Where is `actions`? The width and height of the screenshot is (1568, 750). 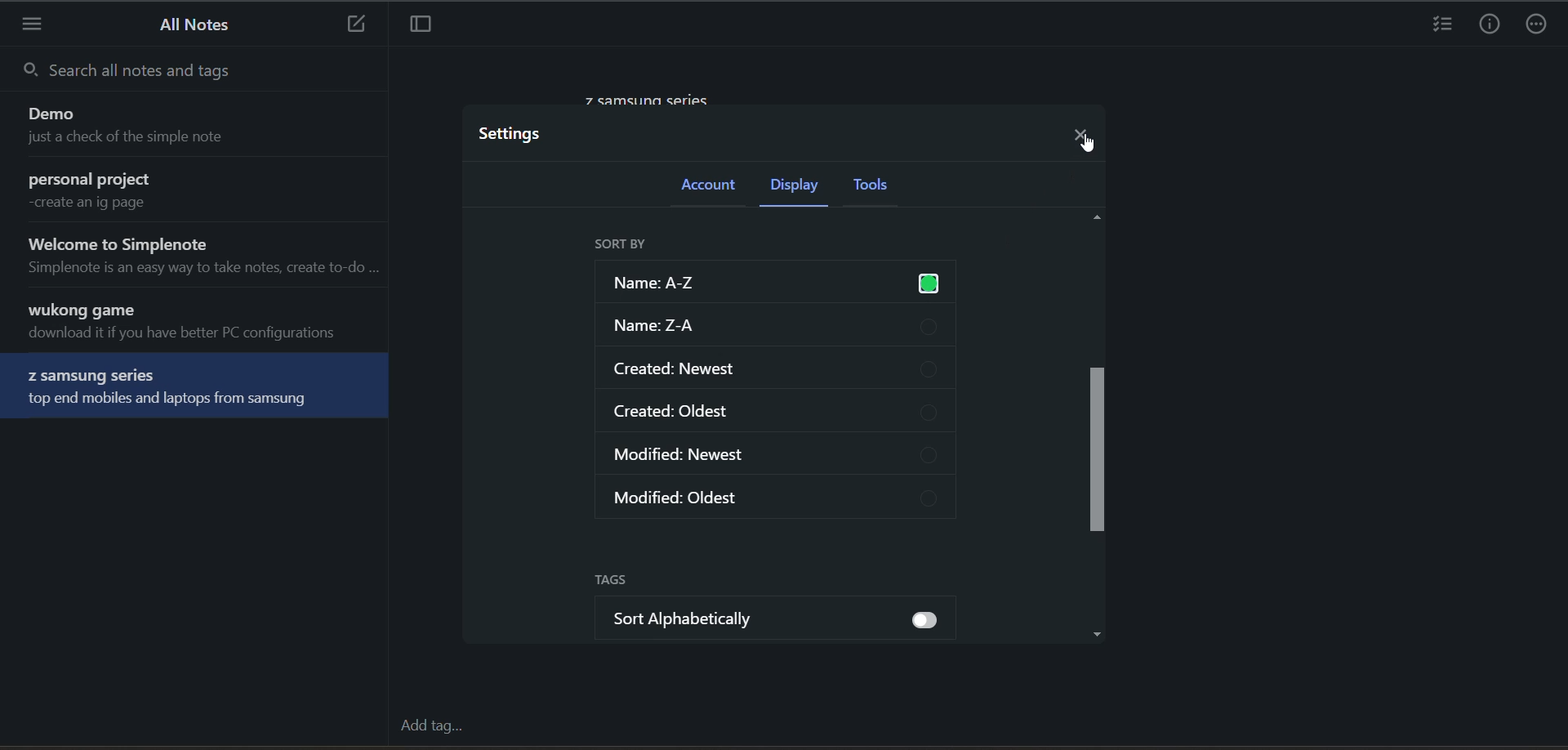
actions is located at coordinates (1539, 25).